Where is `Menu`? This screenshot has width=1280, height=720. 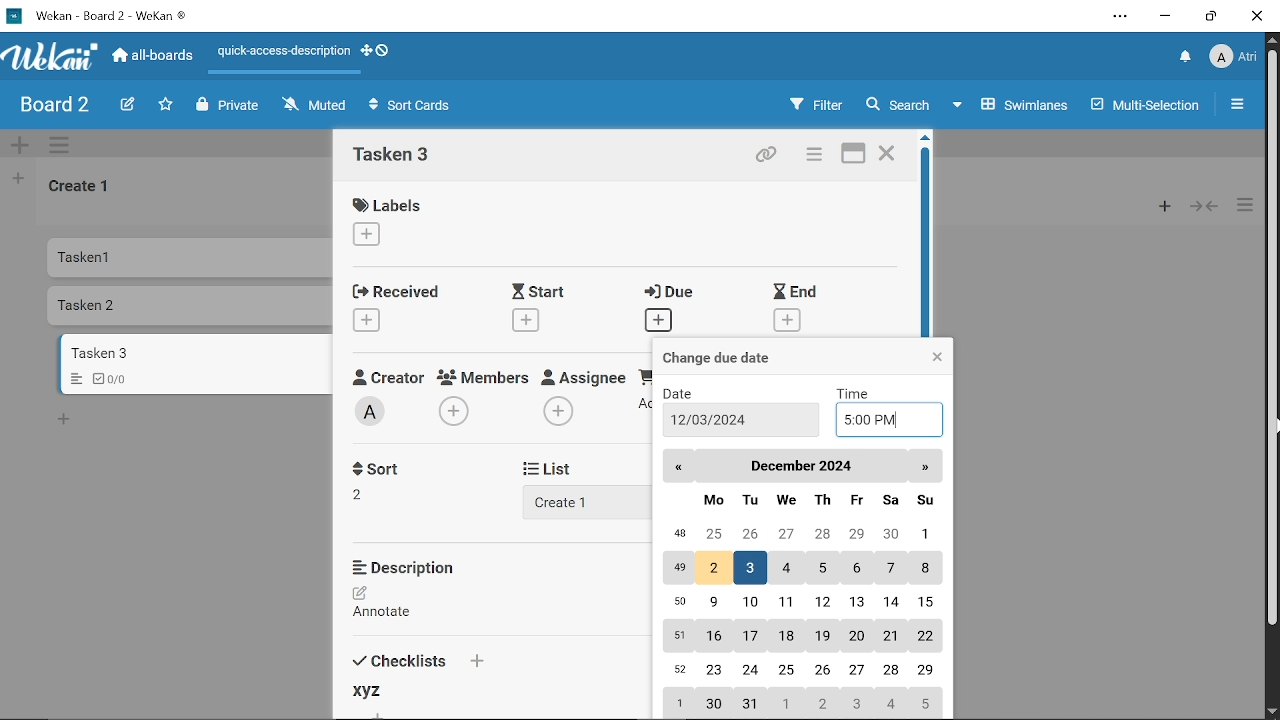
Menu is located at coordinates (72, 380).